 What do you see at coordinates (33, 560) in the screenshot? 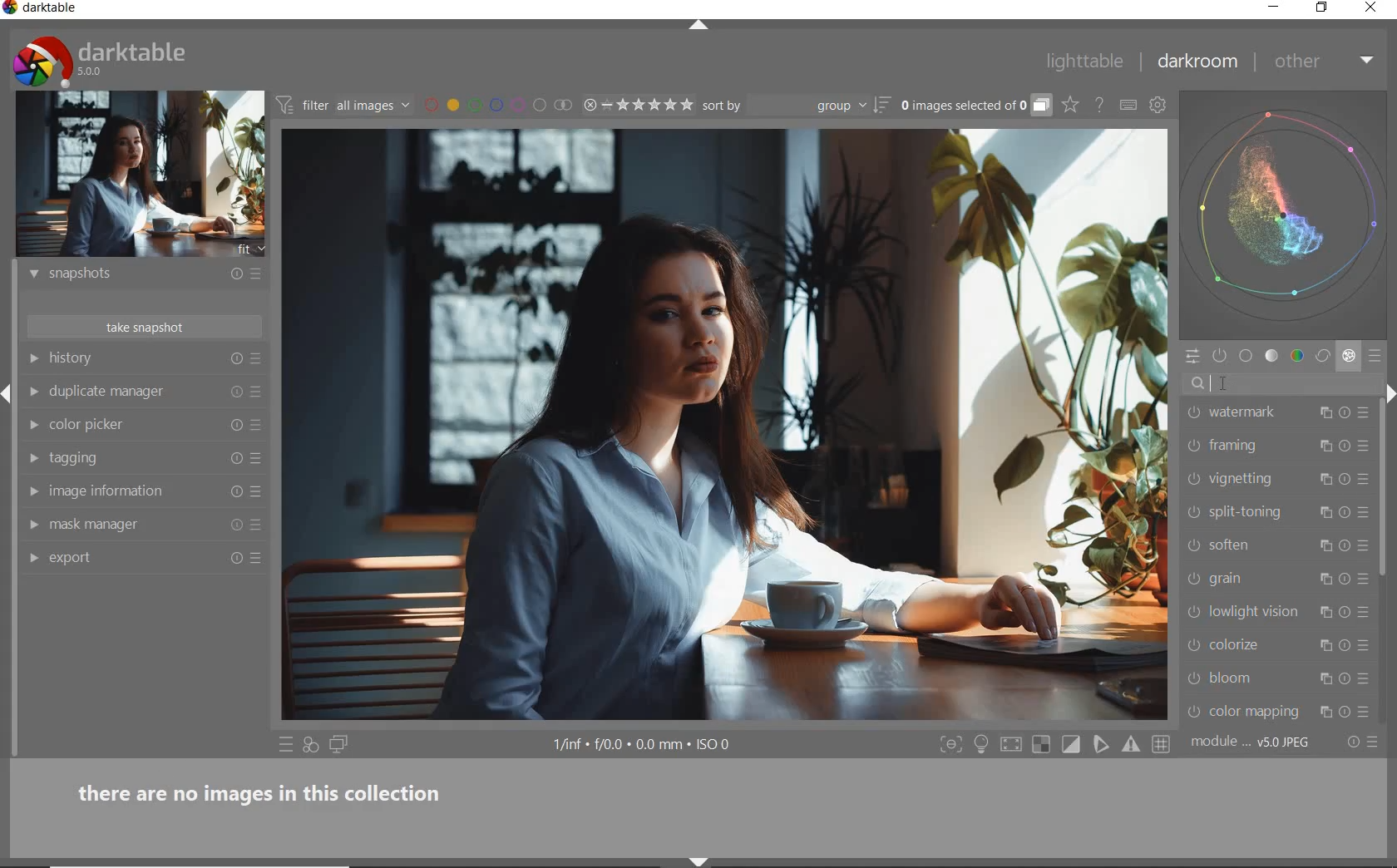
I see `show module` at bounding box center [33, 560].